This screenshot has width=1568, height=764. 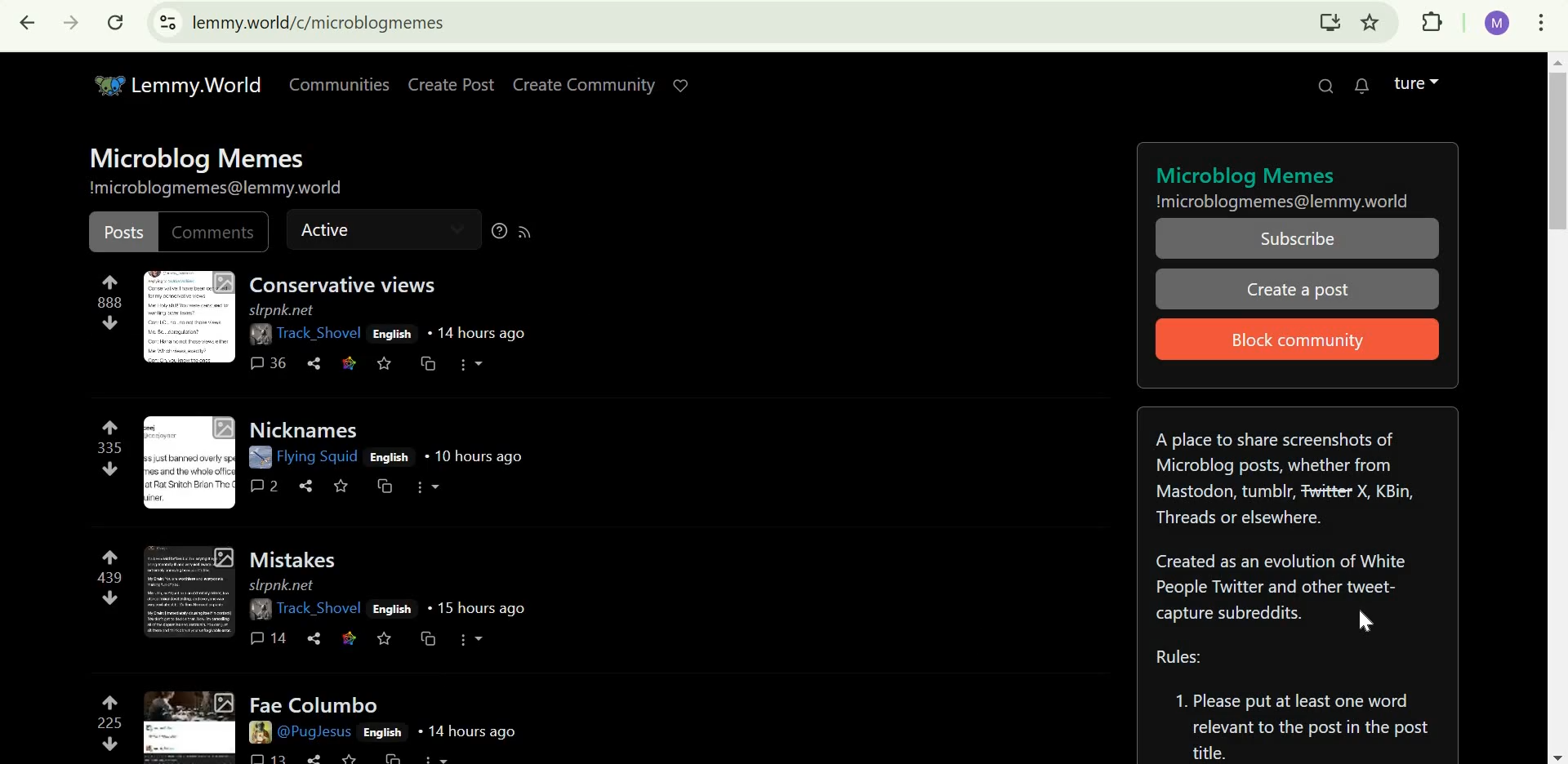 What do you see at coordinates (258, 611) in the screenshot?
I see `profile picture` at bounding box center [258, 611].